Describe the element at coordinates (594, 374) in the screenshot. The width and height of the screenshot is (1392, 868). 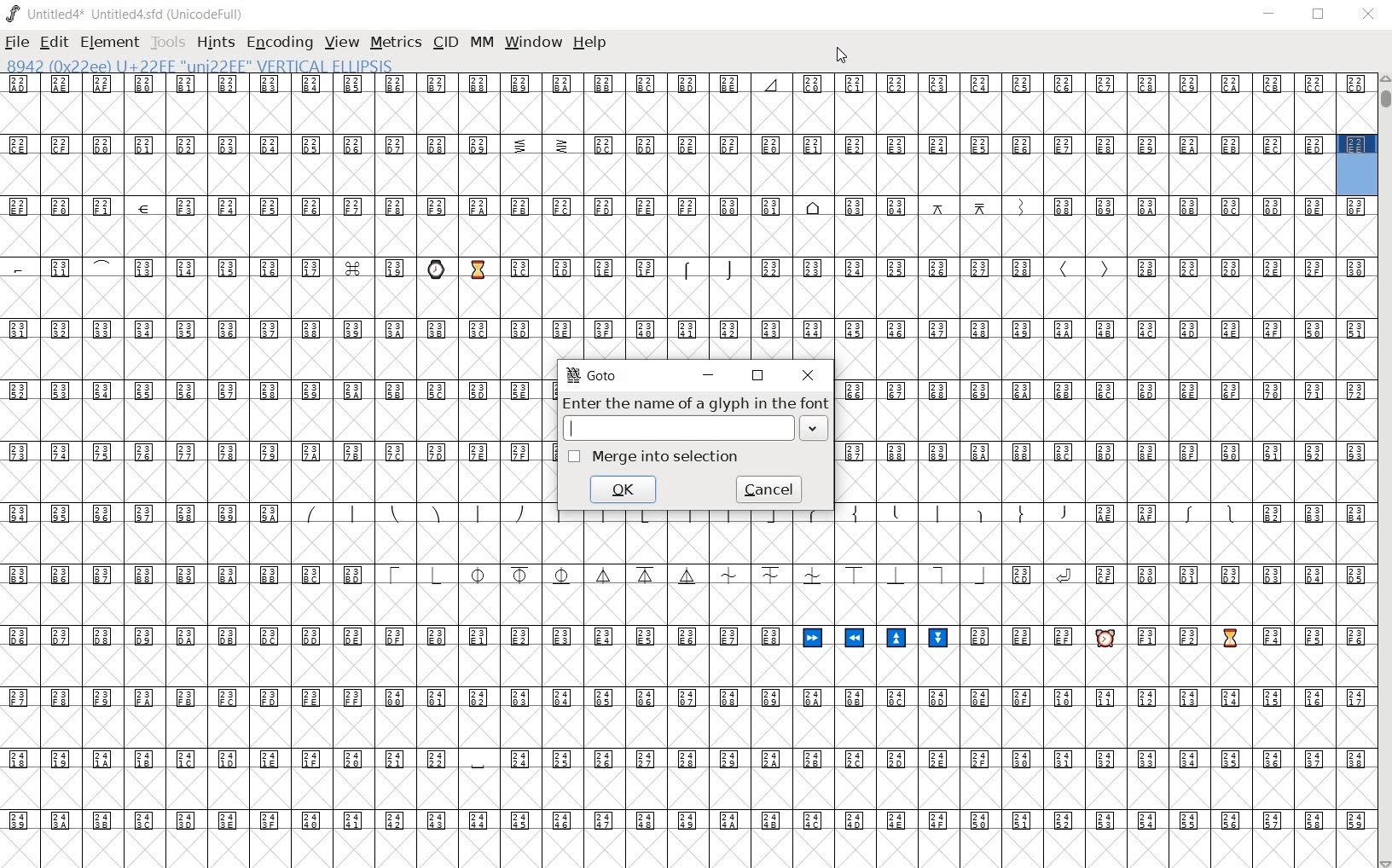
I see `GoTo` at that location.